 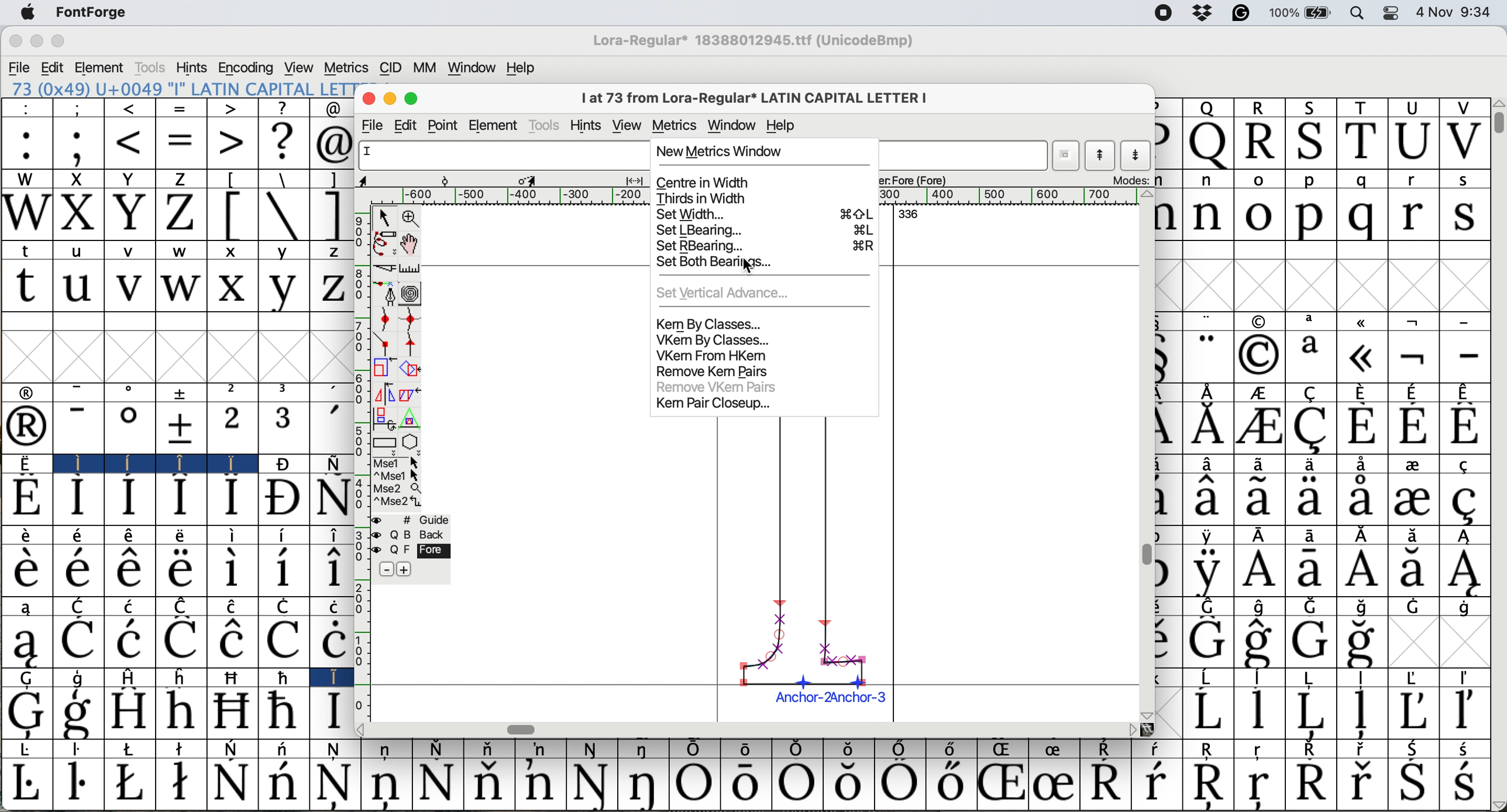 I want to click on -, so click(x=78, y=428).